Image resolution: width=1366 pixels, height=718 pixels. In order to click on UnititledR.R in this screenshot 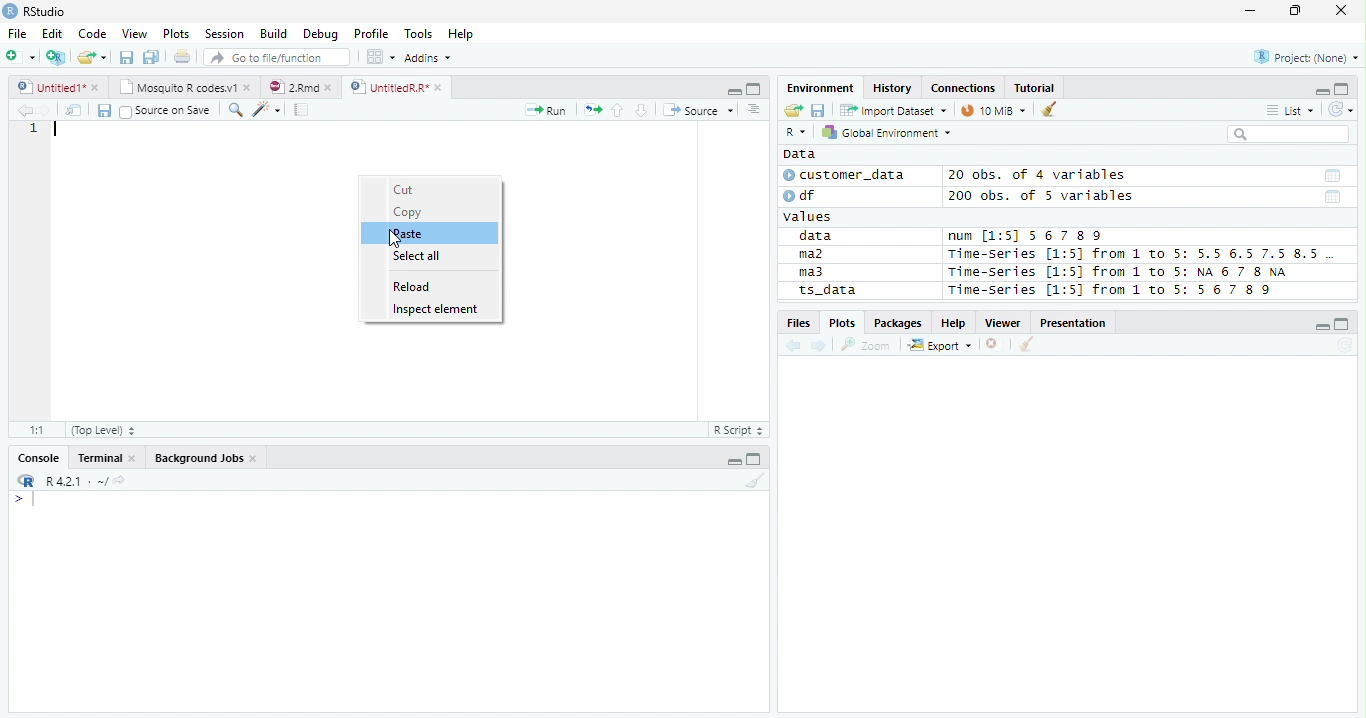, I will do `click(398, 88)`.